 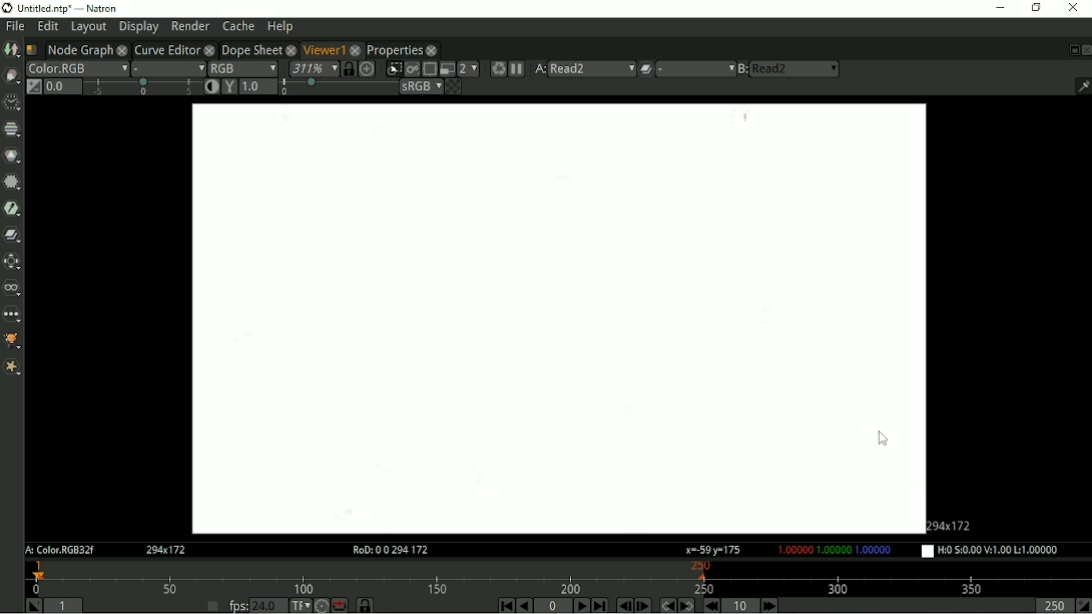 I want to click on Layer, so click(x=76, y=68).